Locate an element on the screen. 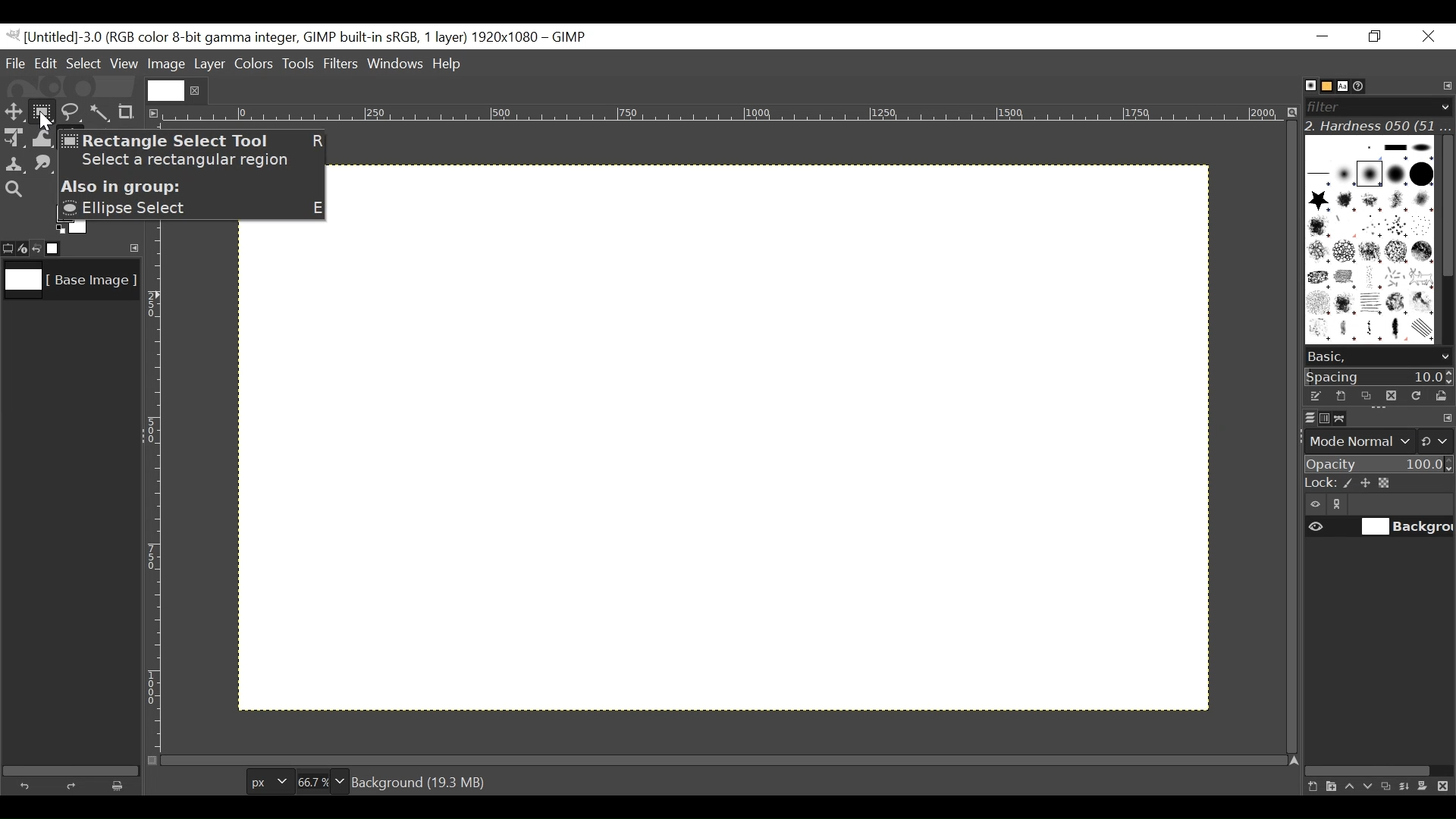 The height and width of the screenshot is (819, 1456). Filter bar is located at coordinates (1377, 105).